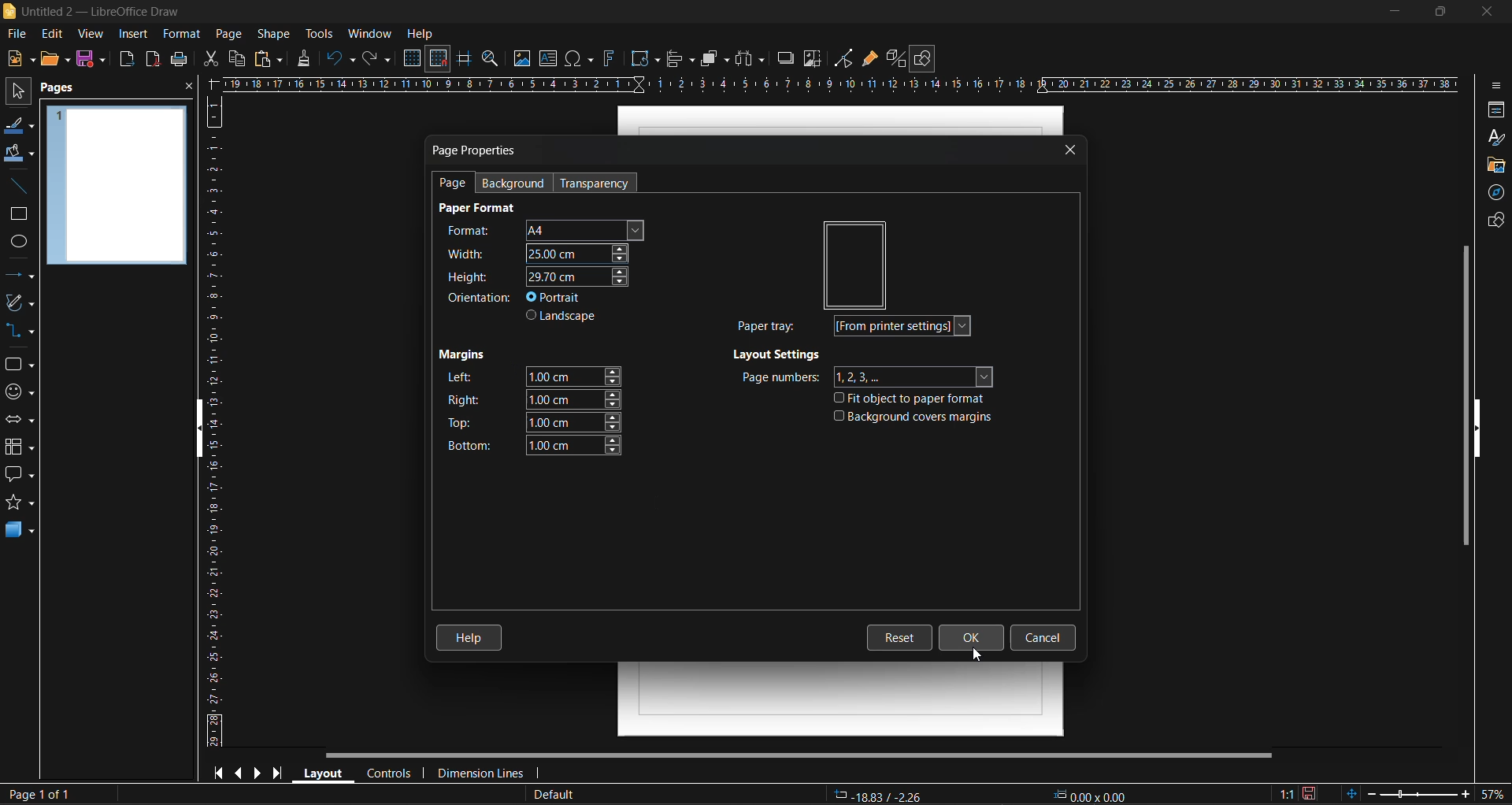 This screenshot has height=805, width=1512. What do you see at coordinates (180, 60) in the screenshot?
I see `print` at bounding box center [180, 60].